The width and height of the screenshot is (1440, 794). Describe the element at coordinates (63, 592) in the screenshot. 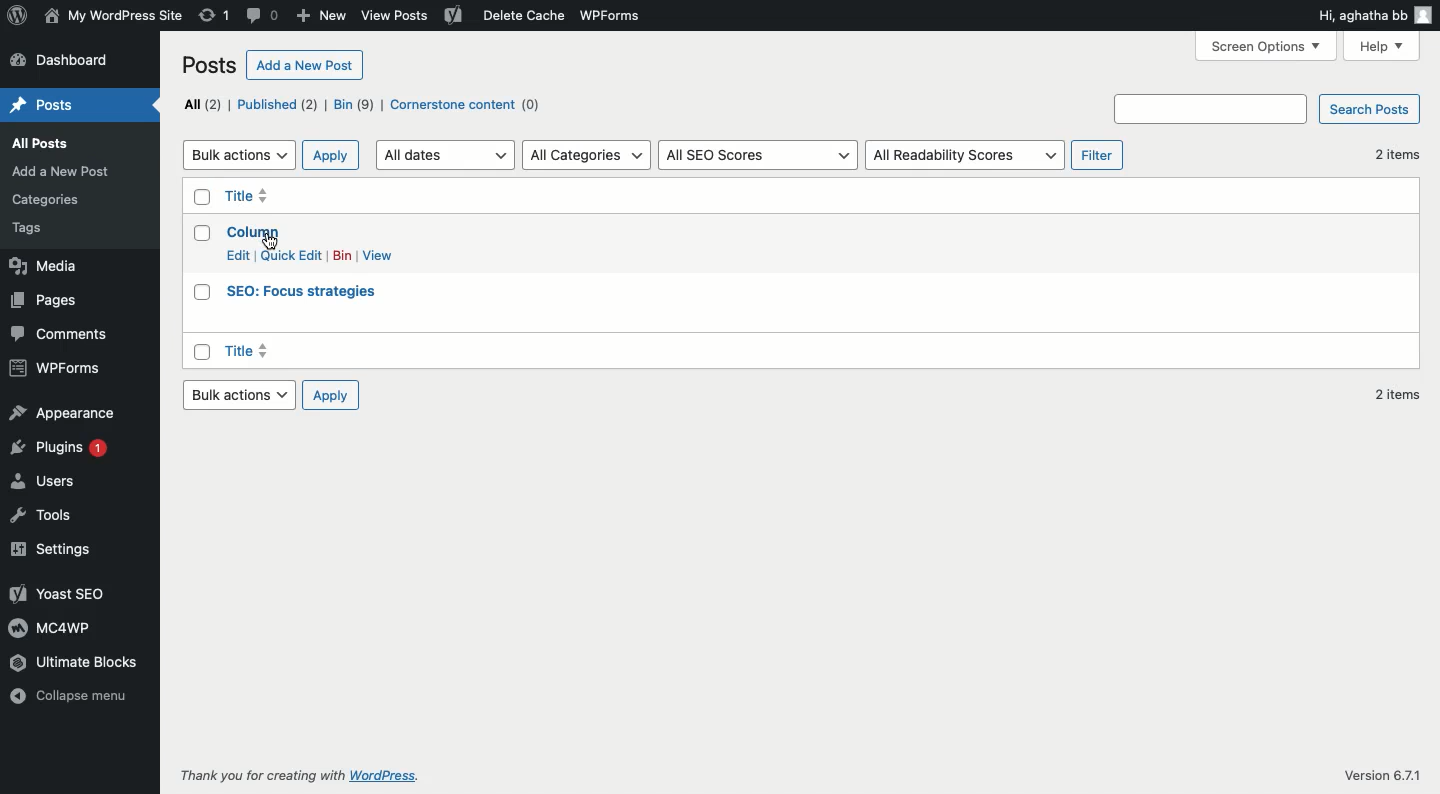

I see `Yoast SEO` at that location.